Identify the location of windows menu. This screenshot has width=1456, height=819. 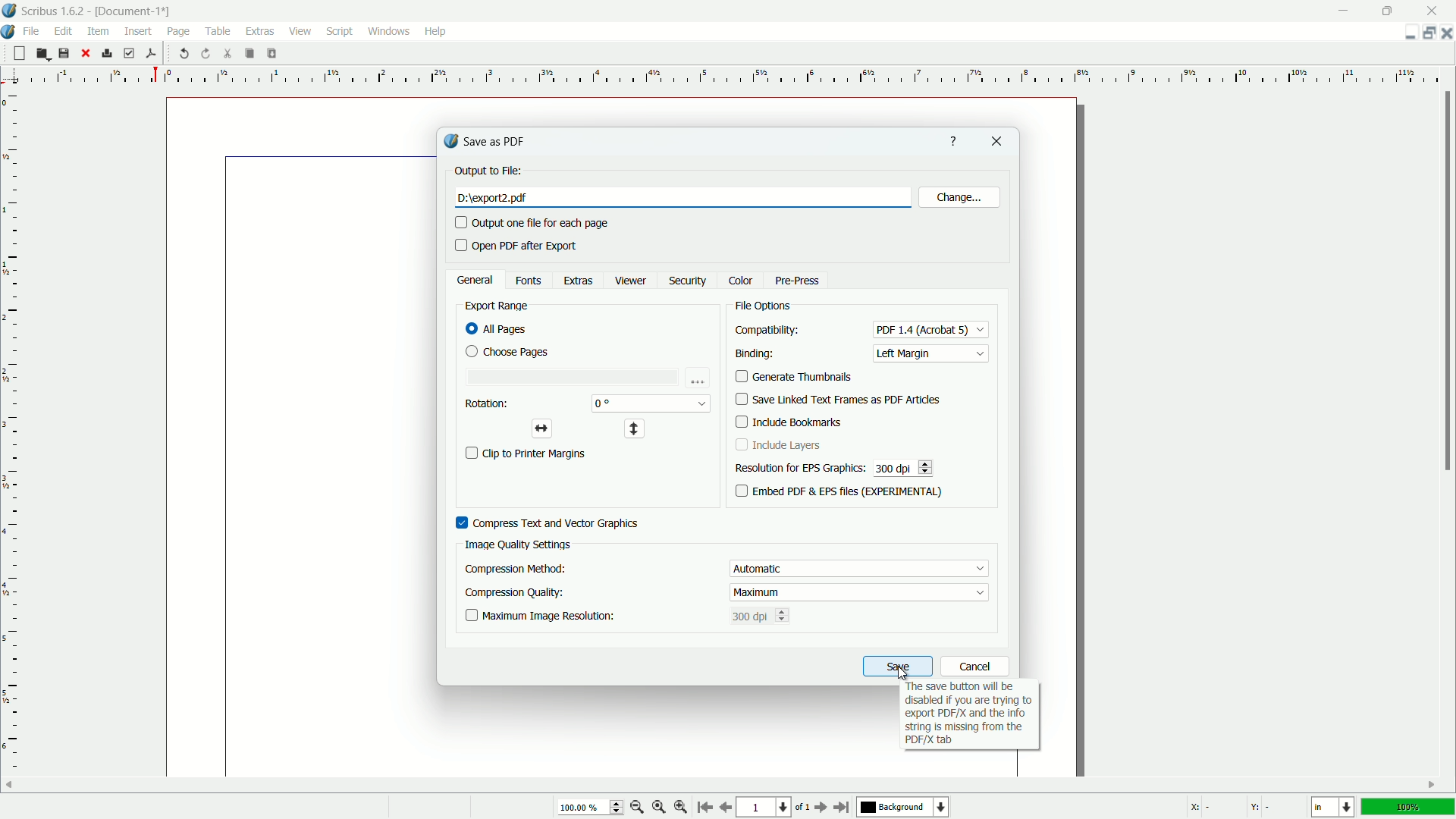
(388, 32).